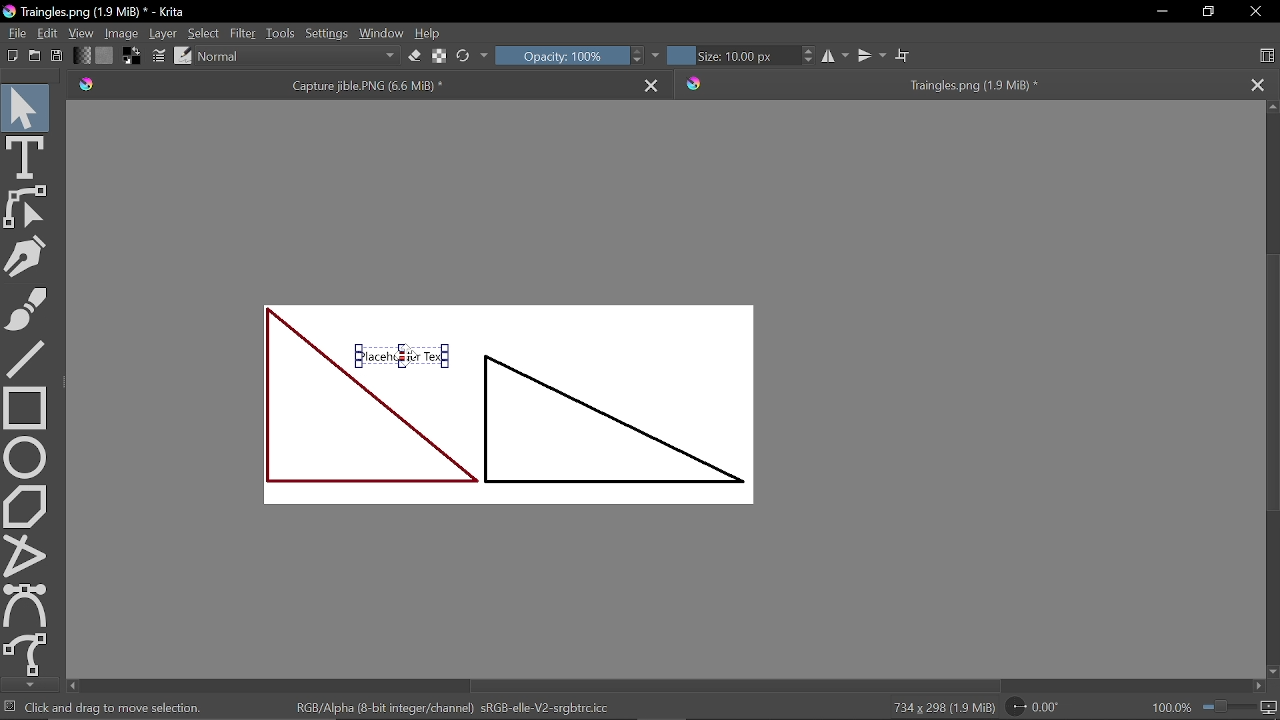 The width and height of the screenshot is (1280, 720). Describe the element at coordinates (10, 56) in the screenshot. I see `New document` at that location.